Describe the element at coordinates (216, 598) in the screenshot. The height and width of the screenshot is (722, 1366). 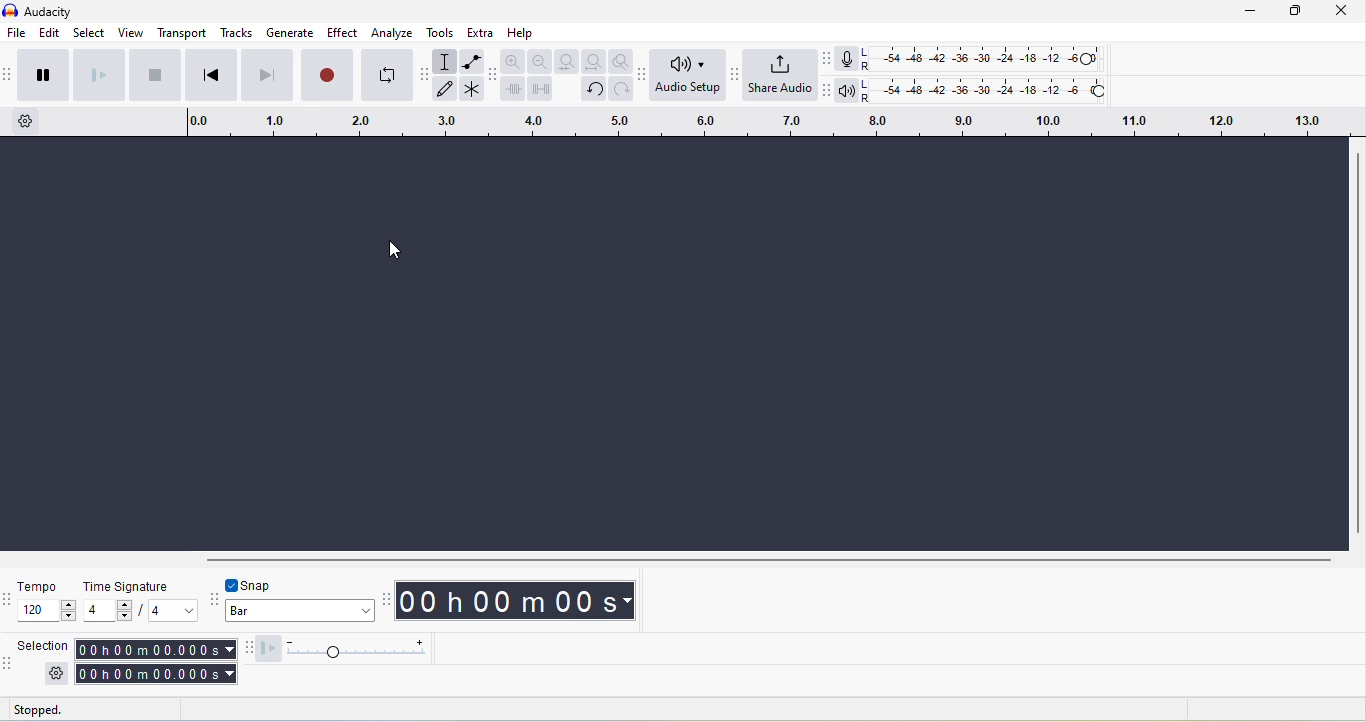
I see `audacity snapping toolbar` at that location.